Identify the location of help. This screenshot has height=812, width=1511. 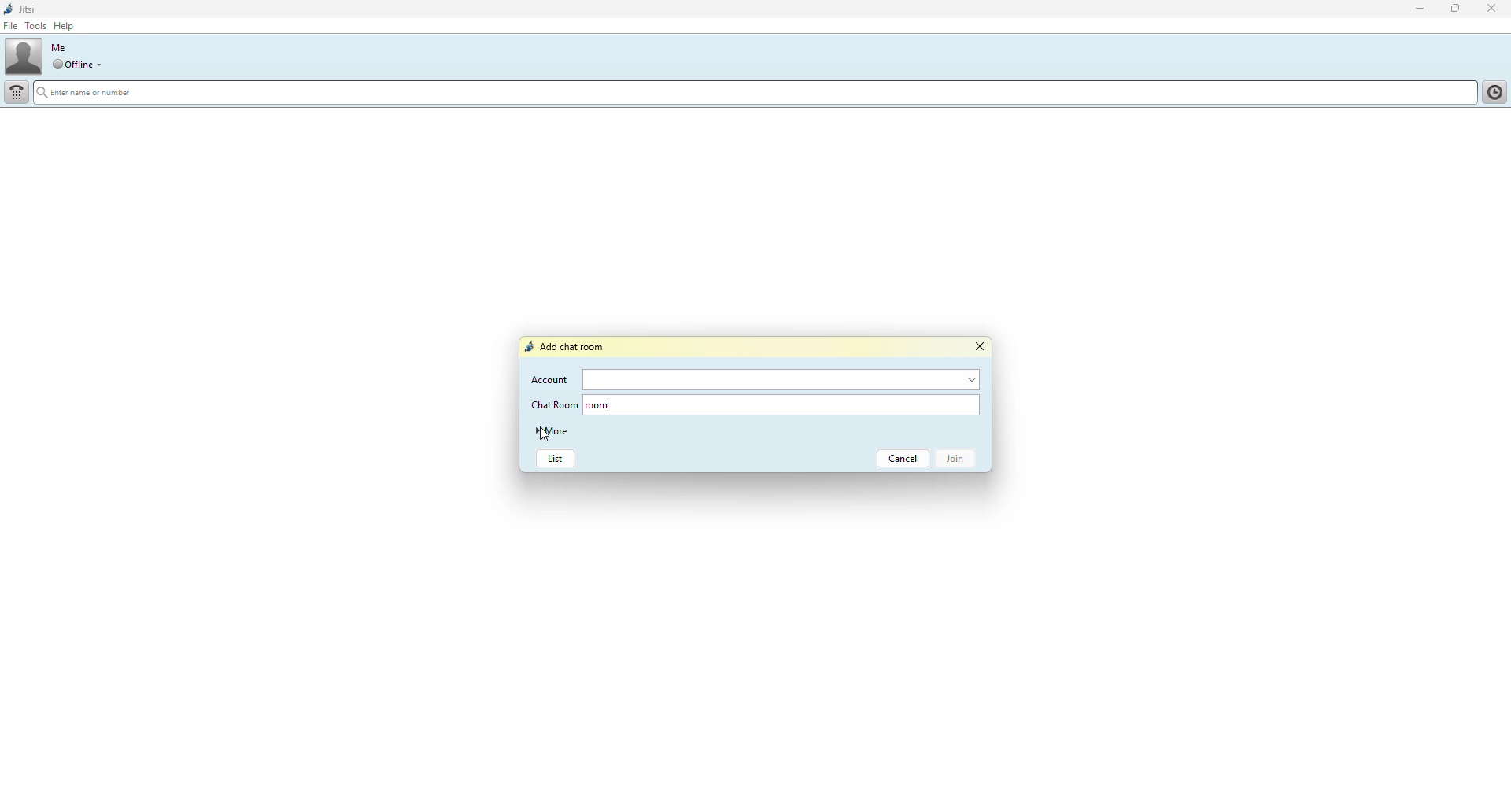
(67, 26).